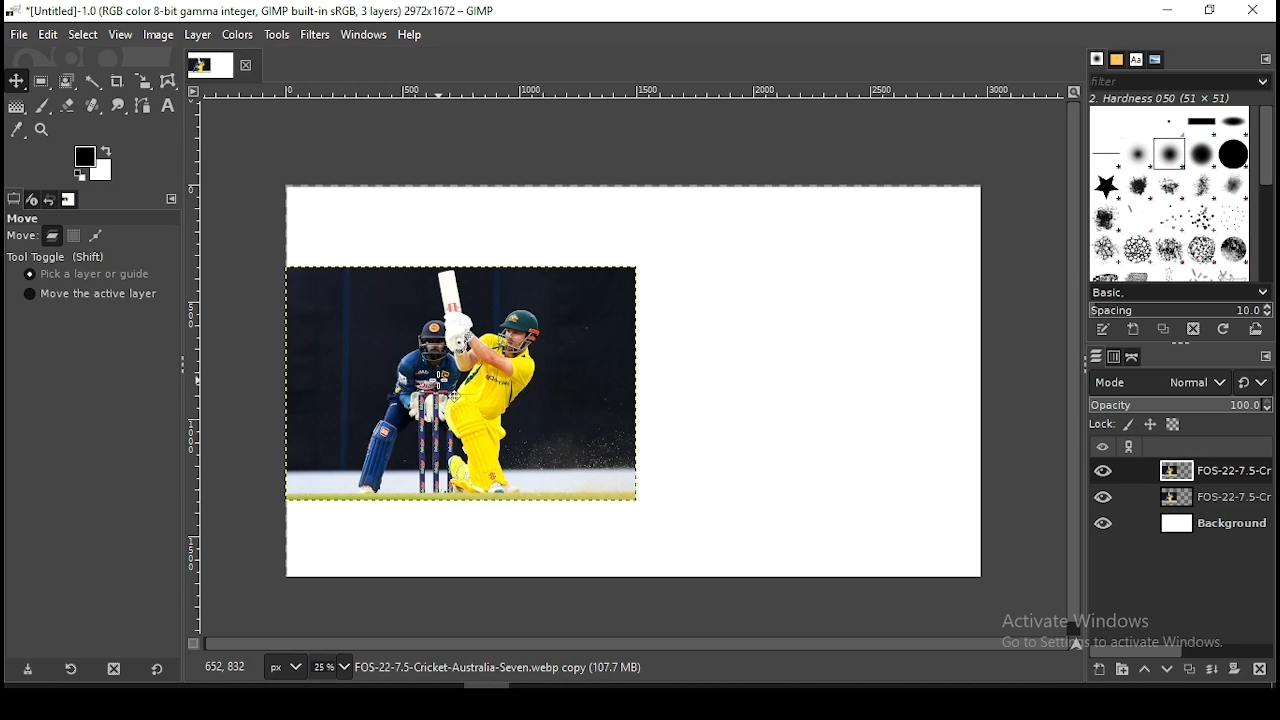  What do you see at coordinates (1267, 190) in the screenshot?
I see `Scroll bar` at bounding box center [1267, 190].